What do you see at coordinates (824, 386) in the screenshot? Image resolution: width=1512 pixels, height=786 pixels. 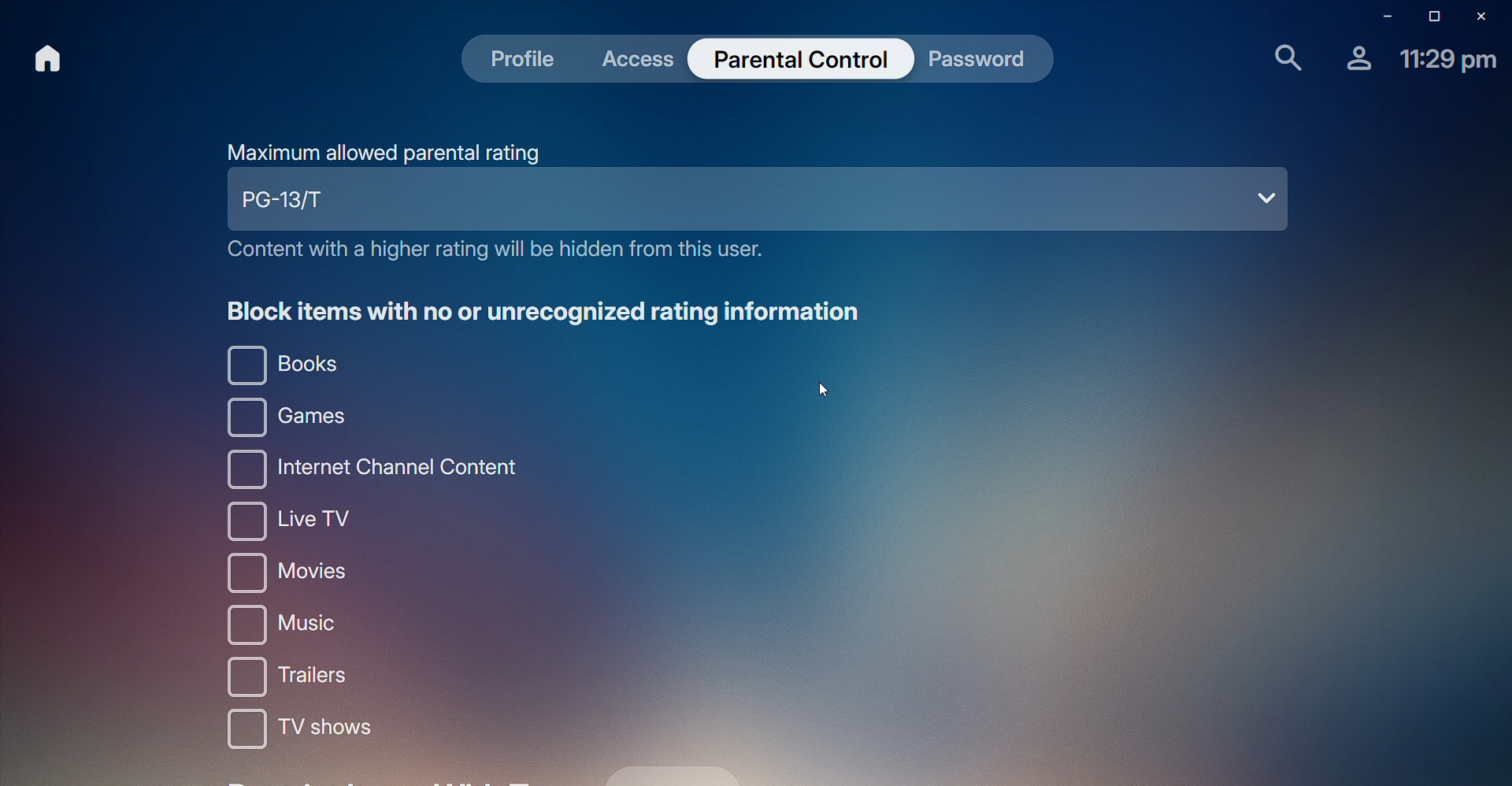 I see `Cursor` at bounding box center [824, 386].